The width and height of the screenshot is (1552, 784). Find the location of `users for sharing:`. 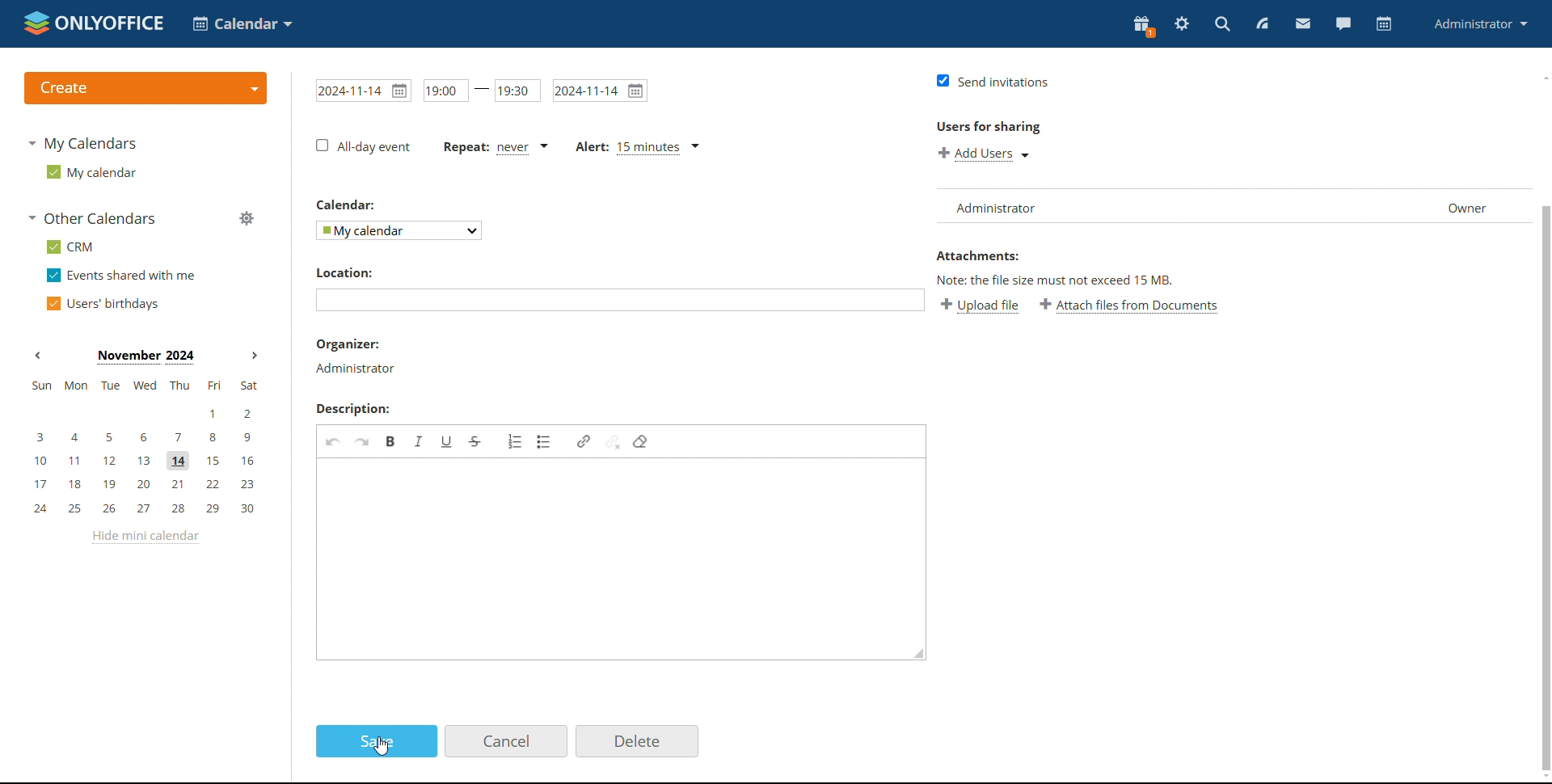

users for sharing: is located at coordinates (983, 125).